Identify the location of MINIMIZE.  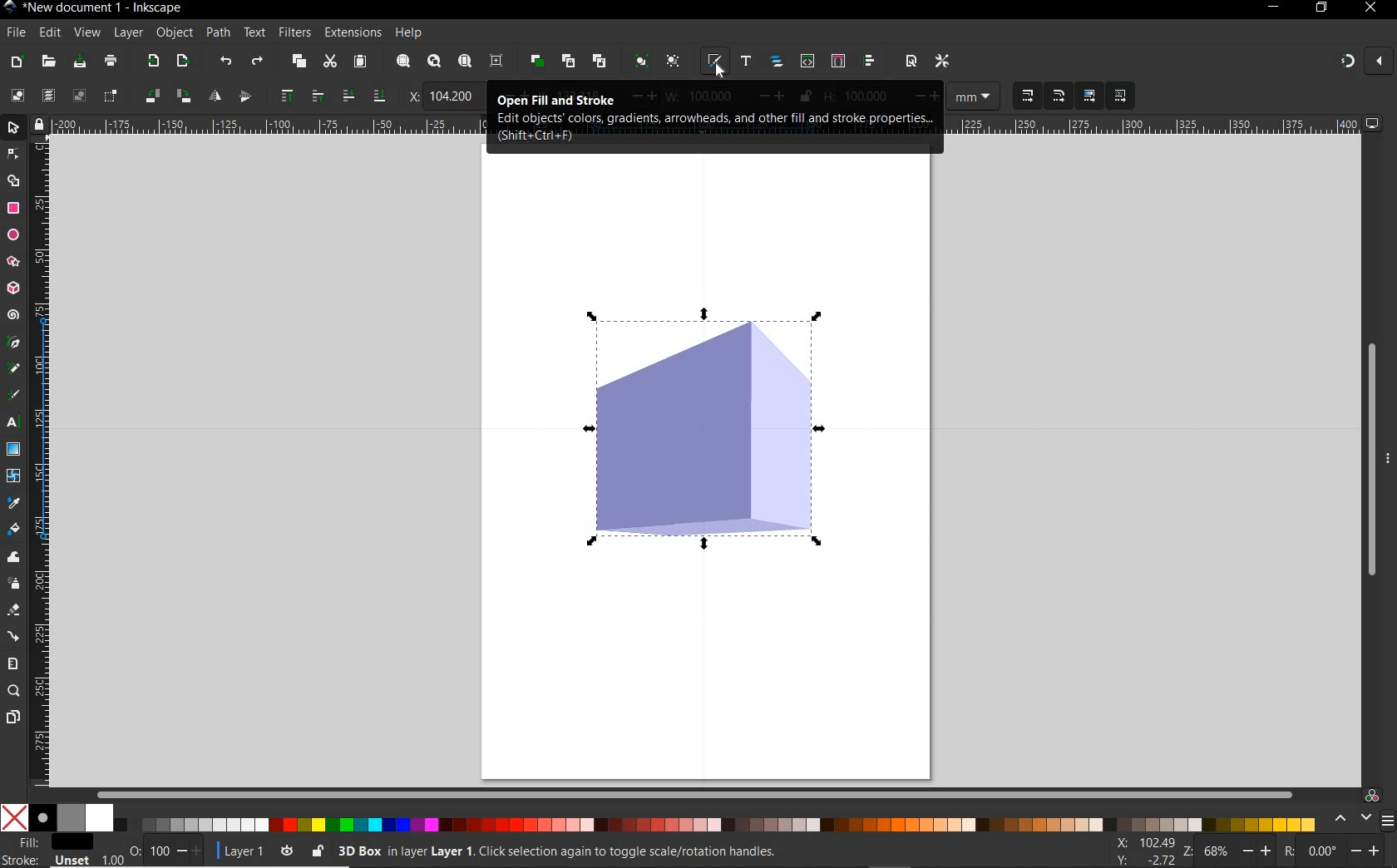
(1274, 7).